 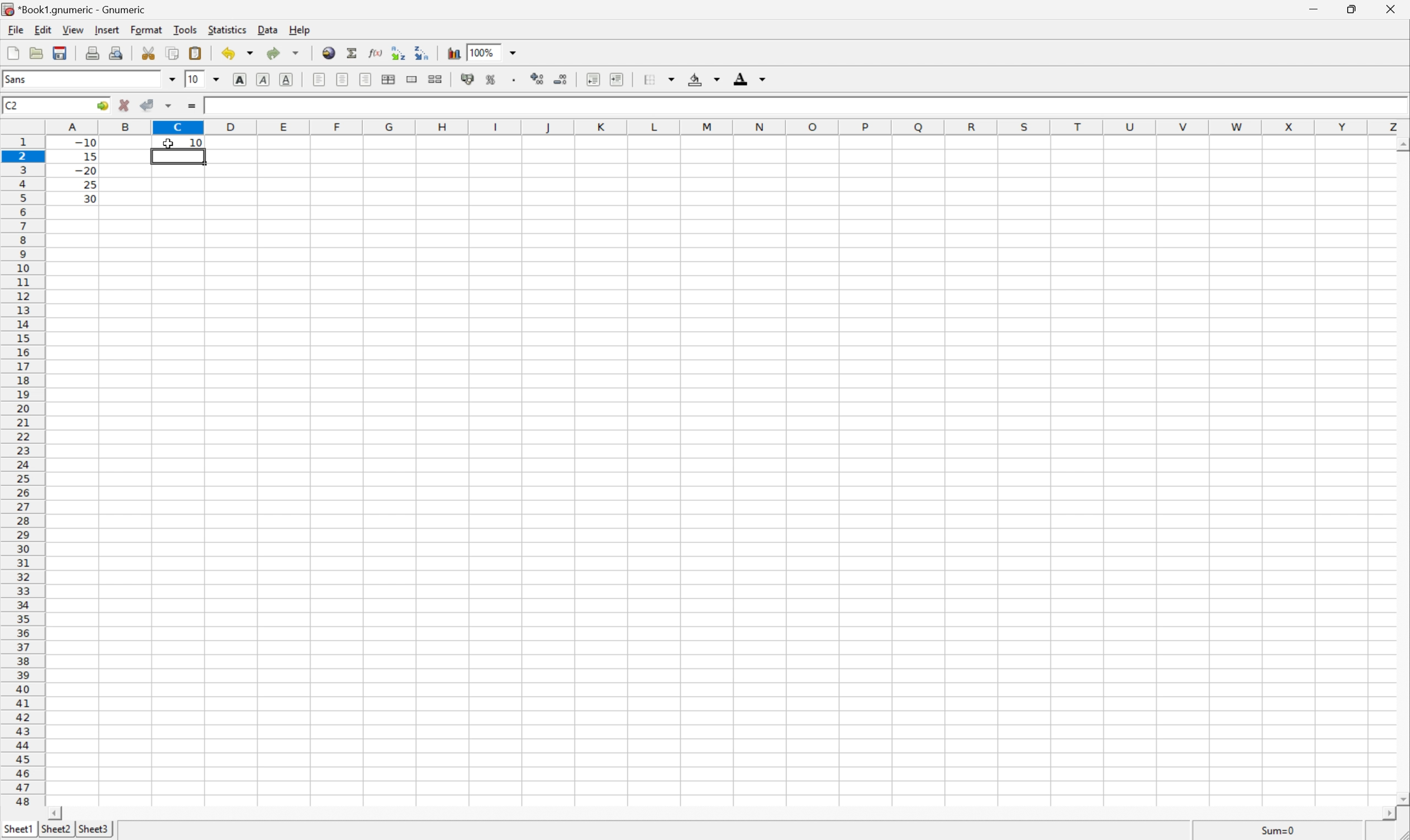 I want to click on Undo, so click(x=239, y=53).